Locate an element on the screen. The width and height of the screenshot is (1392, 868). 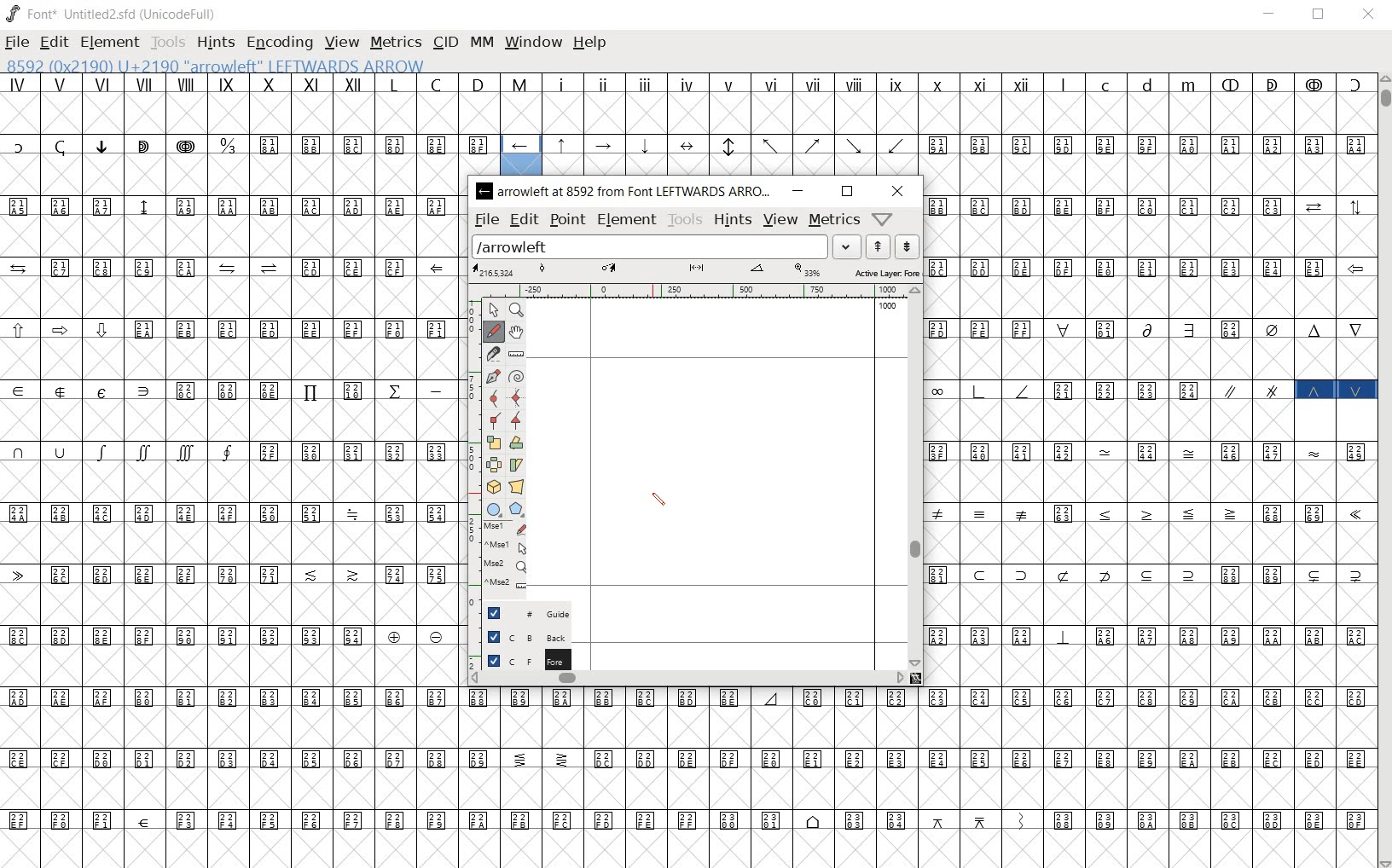
scroll by hand is located at coordinates (517, 333).